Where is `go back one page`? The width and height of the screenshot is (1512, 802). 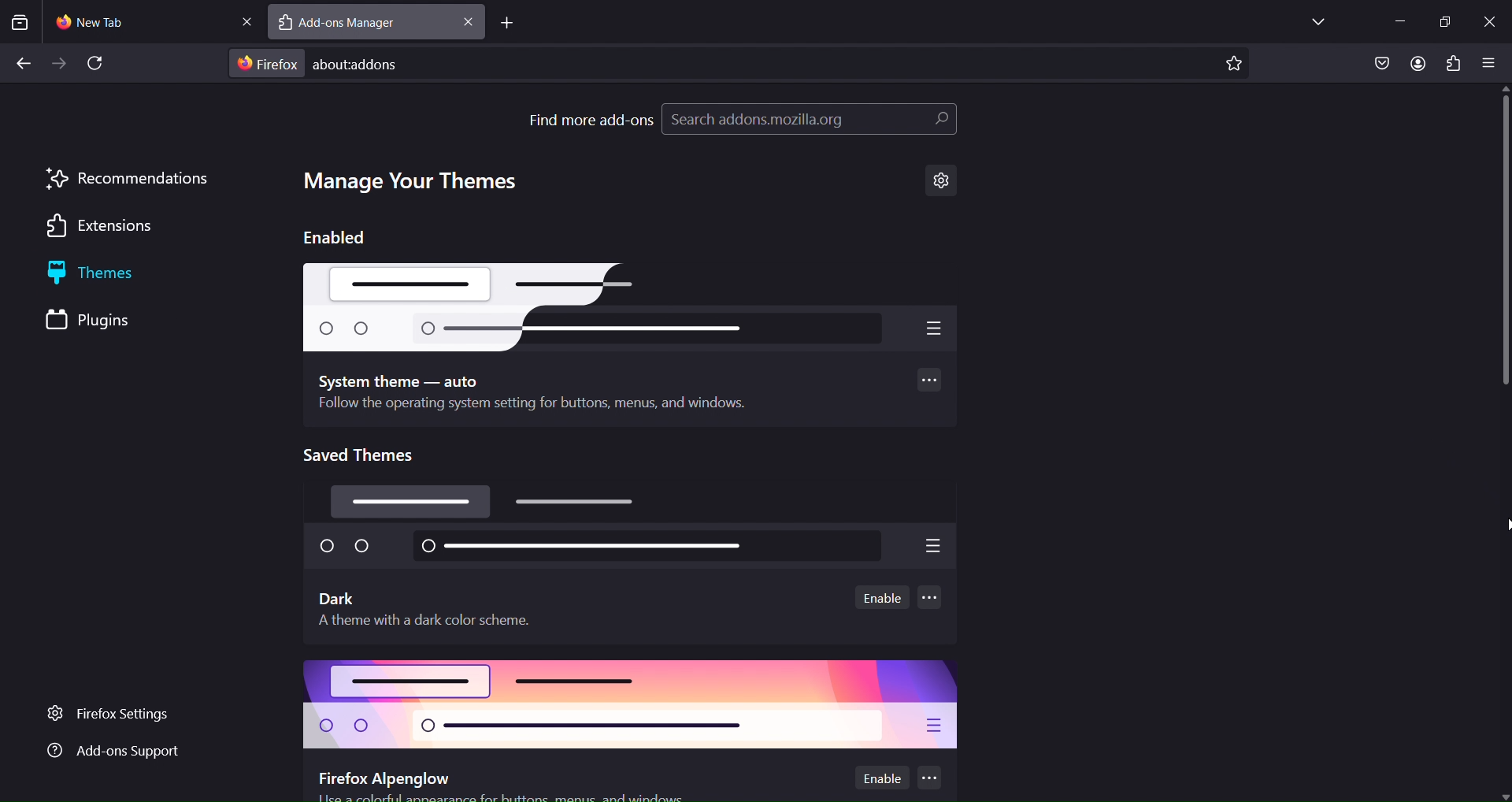 go back one page is located at coordinates (24, 61).